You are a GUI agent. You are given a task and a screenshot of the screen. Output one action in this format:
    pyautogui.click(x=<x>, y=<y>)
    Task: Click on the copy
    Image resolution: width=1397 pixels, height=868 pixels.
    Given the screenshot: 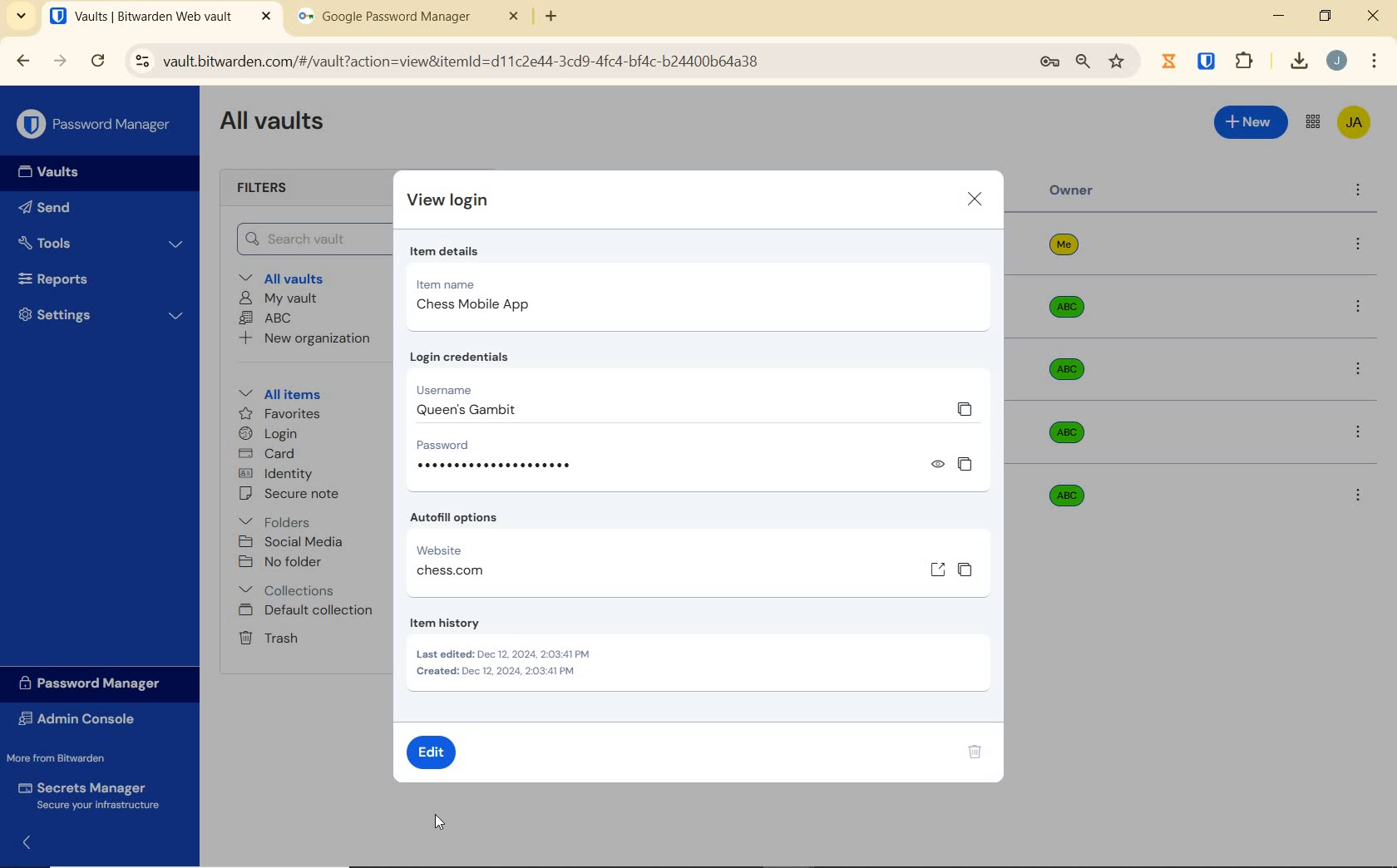 What is the action you would take?
    pyautogui.click(x=966, y=571)
    